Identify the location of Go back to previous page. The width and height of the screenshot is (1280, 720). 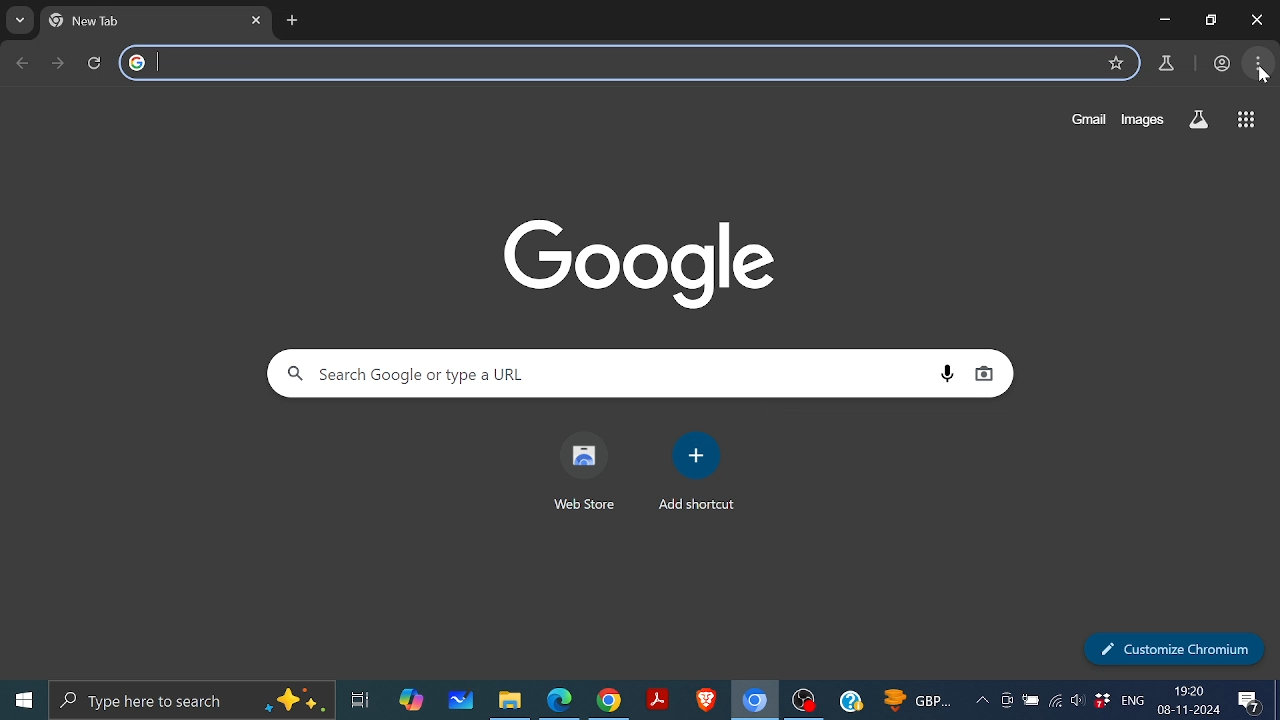
(23, 64).